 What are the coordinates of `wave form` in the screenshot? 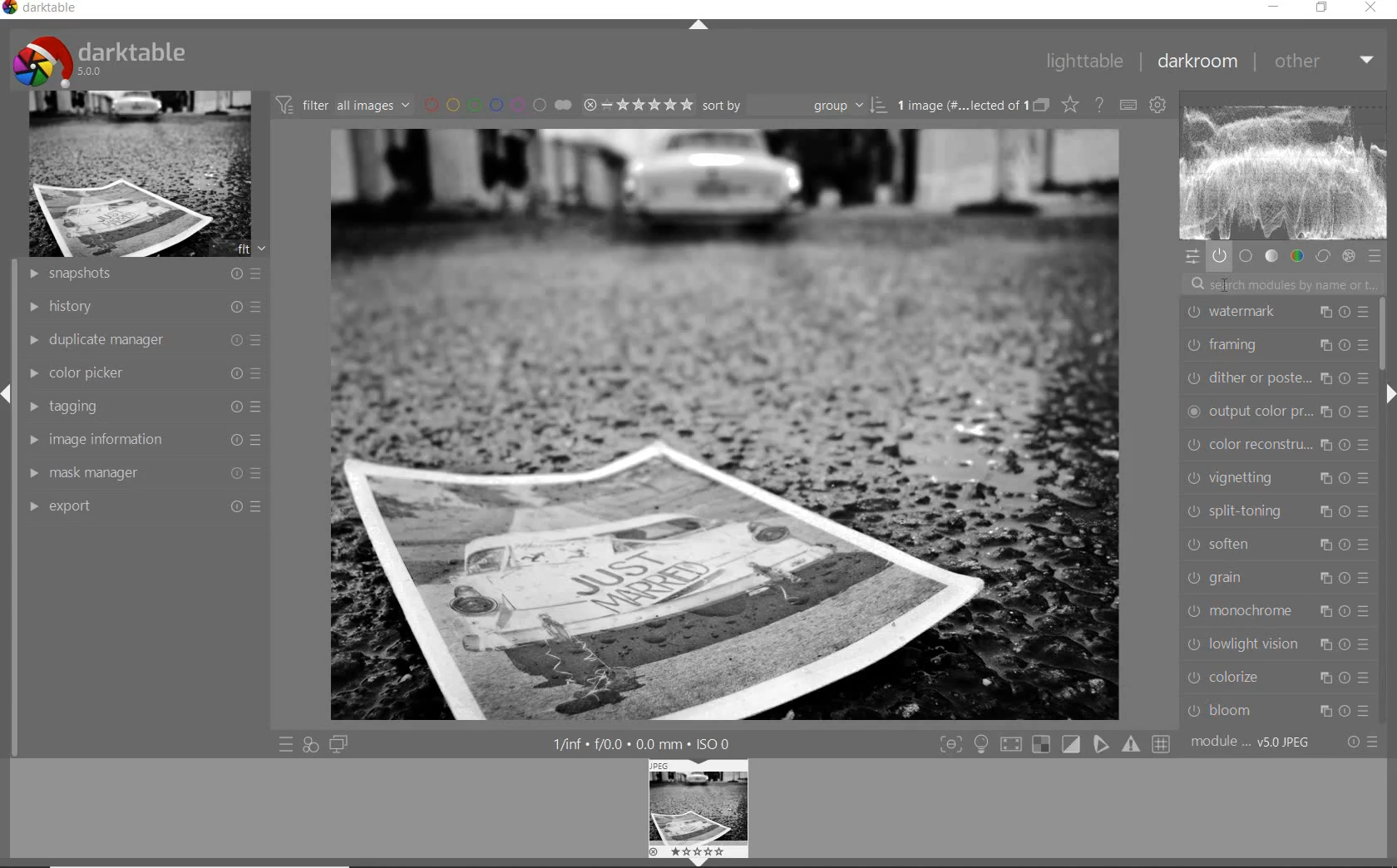 It's located at (1284, 167).